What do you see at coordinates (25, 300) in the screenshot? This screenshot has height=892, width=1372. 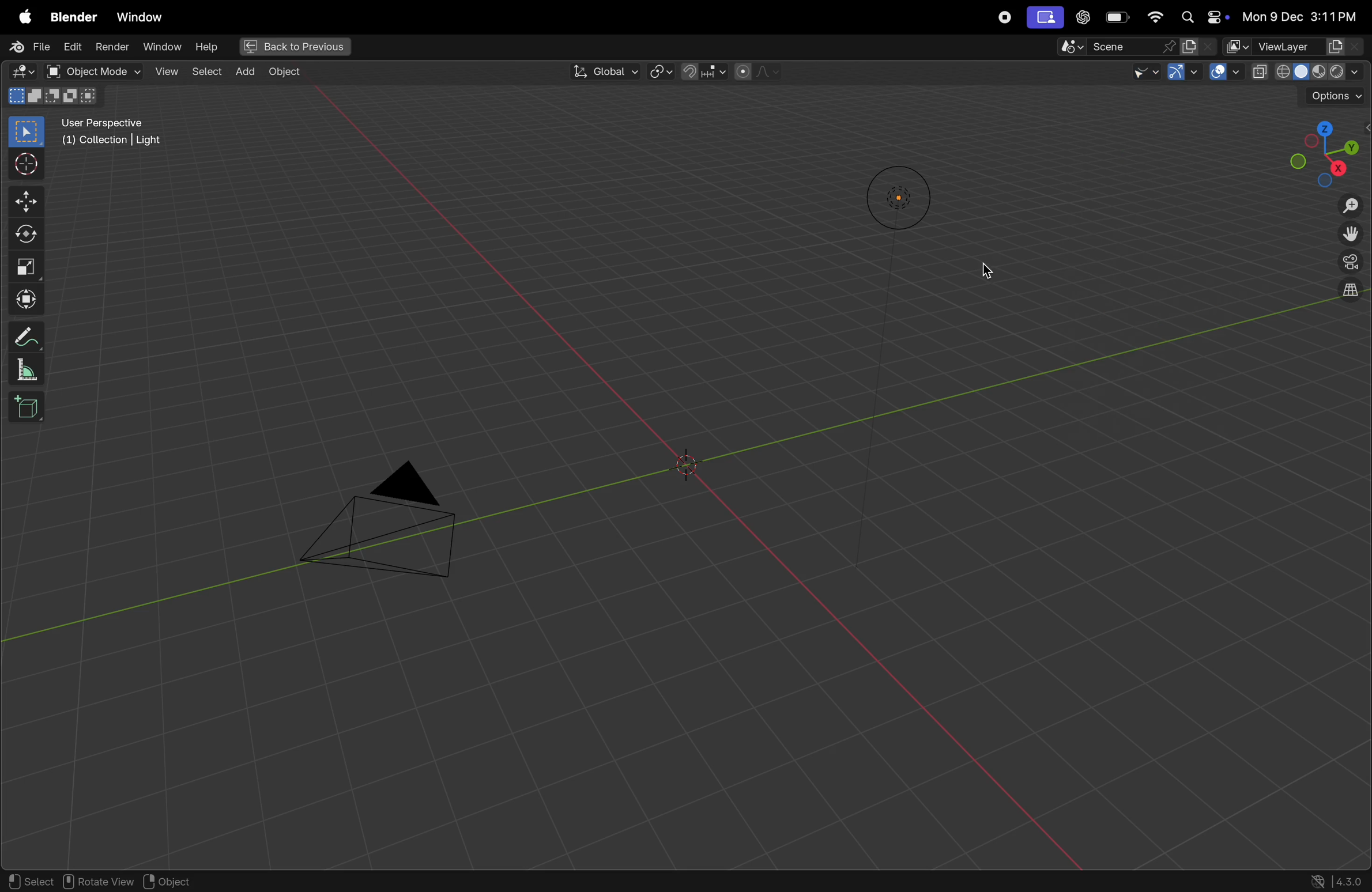 I see `transform` at bounding box center [25, 300].